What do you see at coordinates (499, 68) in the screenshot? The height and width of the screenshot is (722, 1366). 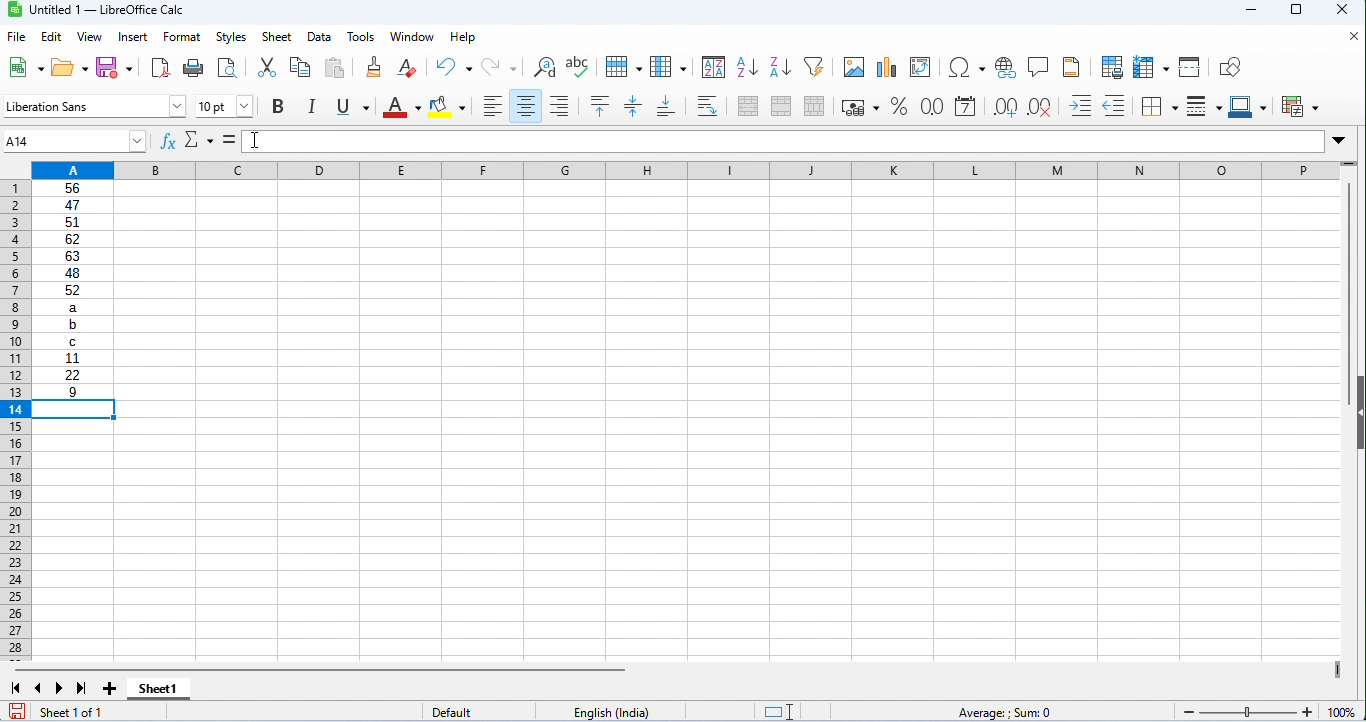 I see `redo` at bounding box center [499, 68].